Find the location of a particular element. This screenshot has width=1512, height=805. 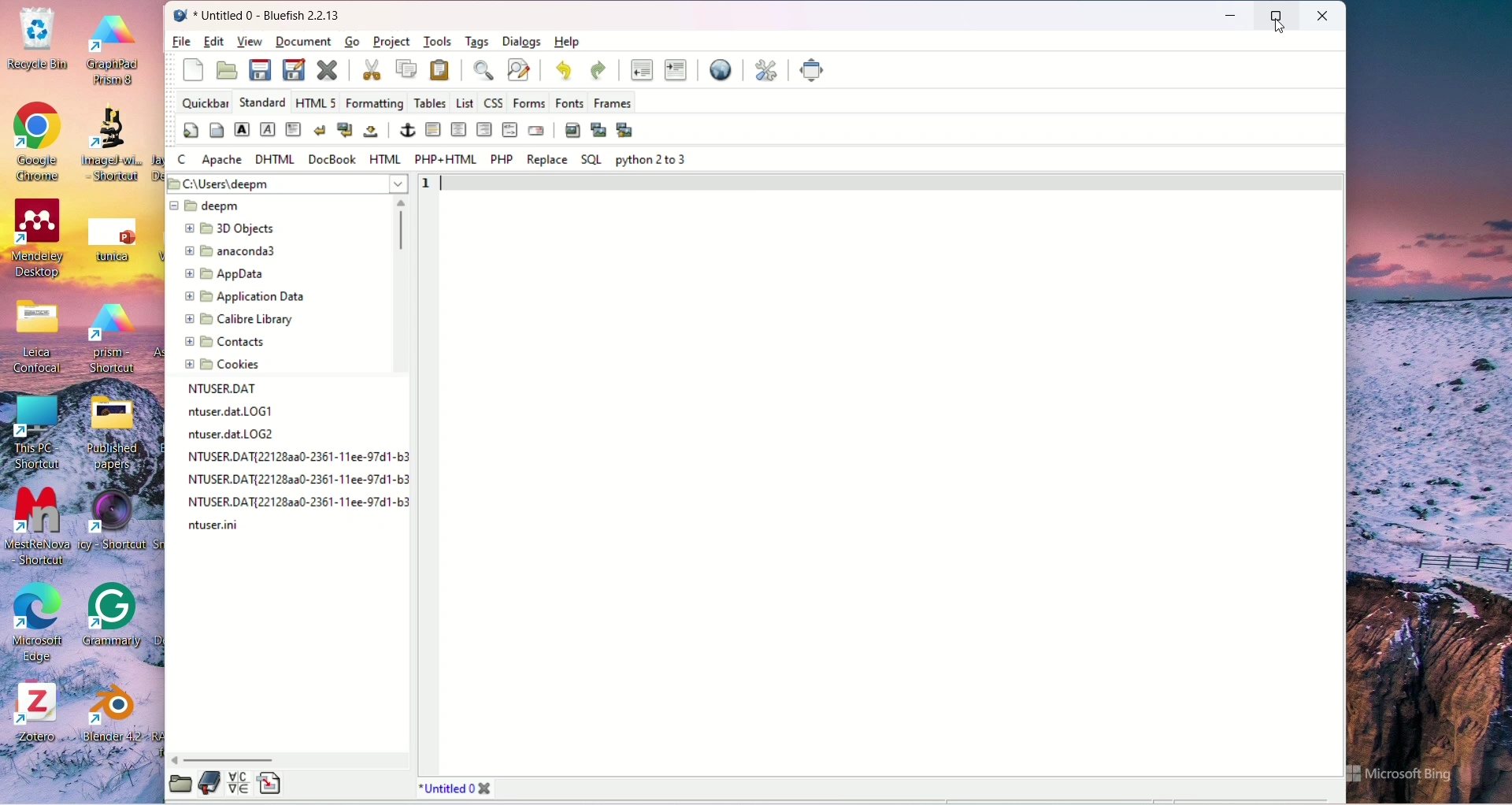

SQL is located at coordinates (592, 161).